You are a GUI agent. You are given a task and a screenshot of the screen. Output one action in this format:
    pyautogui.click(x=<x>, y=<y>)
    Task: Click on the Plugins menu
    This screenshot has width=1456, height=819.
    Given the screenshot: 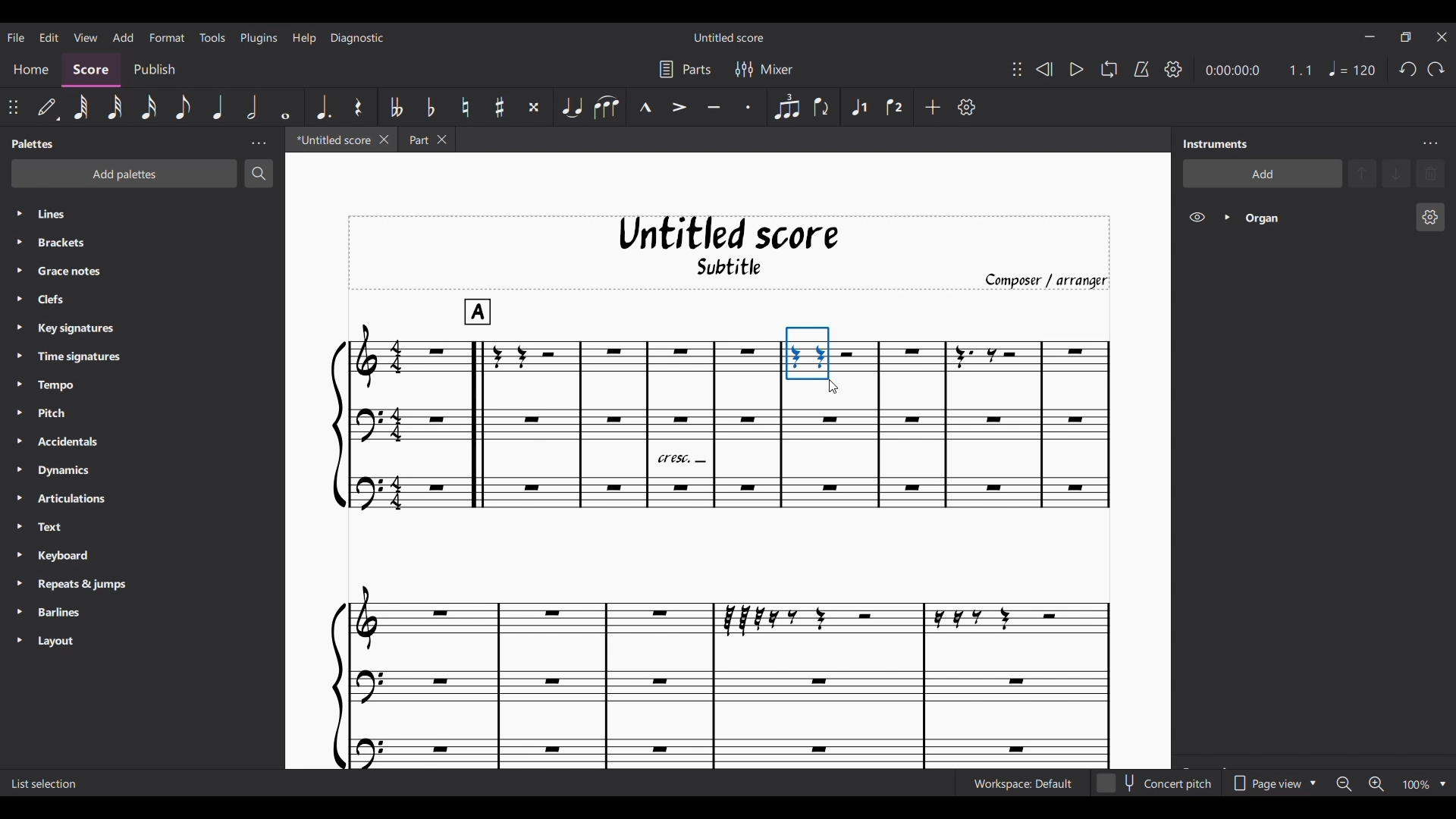 What is the action you would take?
    pyautogui.click(x=259, y=36)
    